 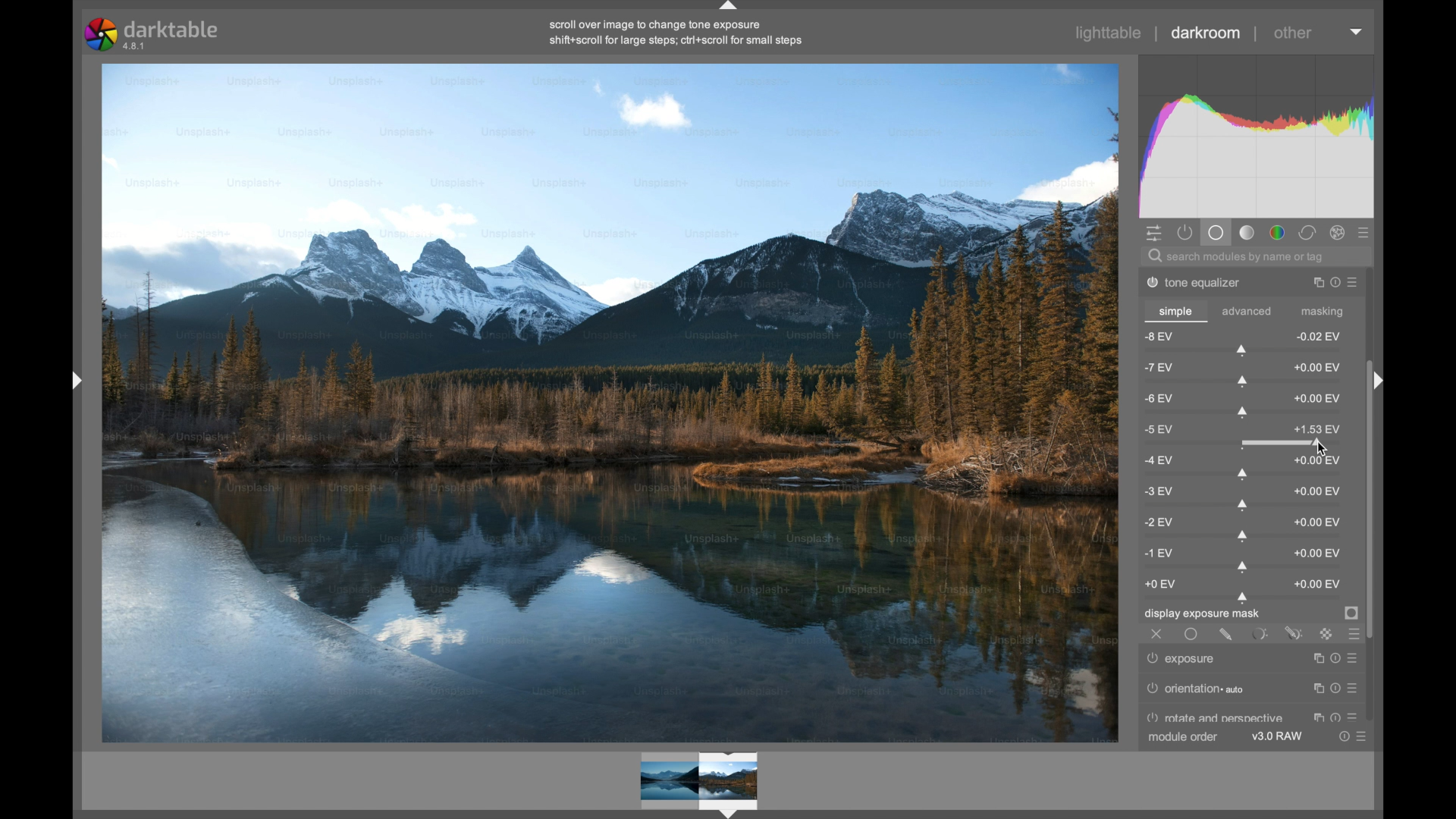 What do you see at coordinates (1308, 233) in the screenshot?
I see `correct` at bounding box center [1308, 233].